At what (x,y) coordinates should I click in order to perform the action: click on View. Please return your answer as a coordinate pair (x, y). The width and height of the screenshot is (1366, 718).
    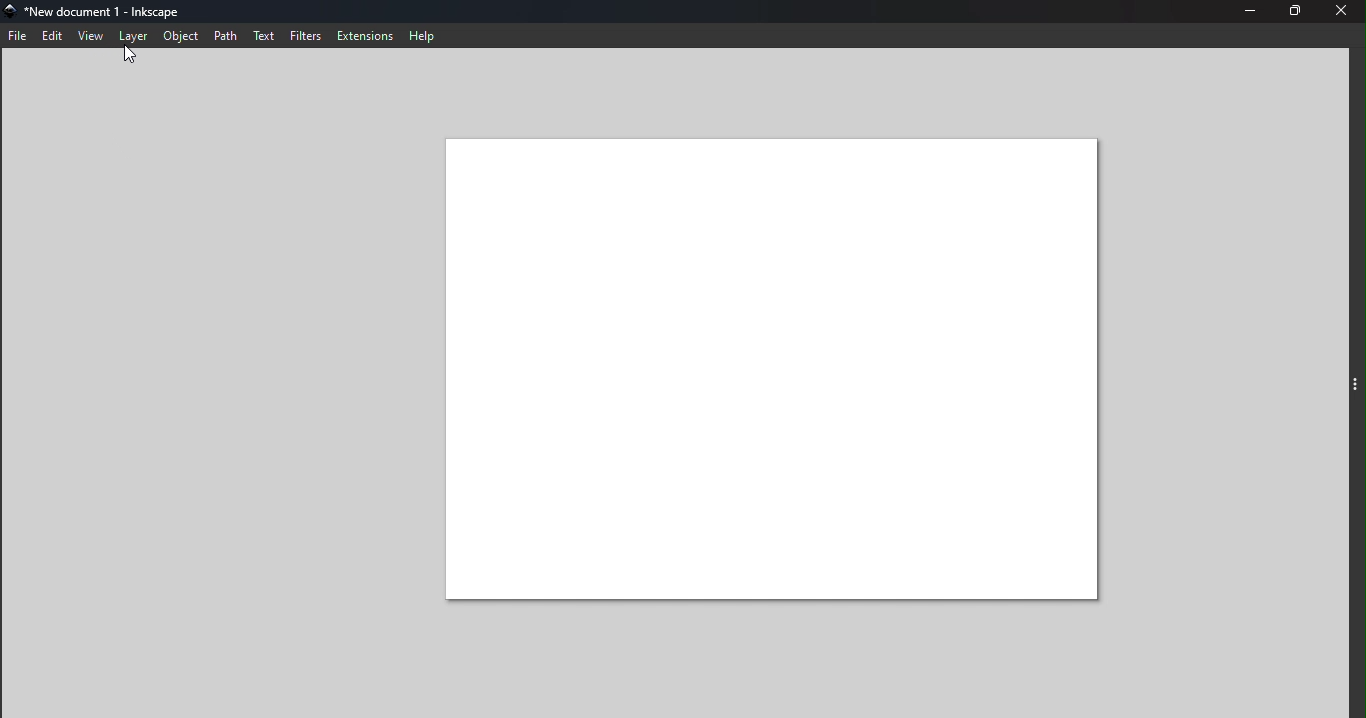
    Looking at the image, I should click on (93, 36).